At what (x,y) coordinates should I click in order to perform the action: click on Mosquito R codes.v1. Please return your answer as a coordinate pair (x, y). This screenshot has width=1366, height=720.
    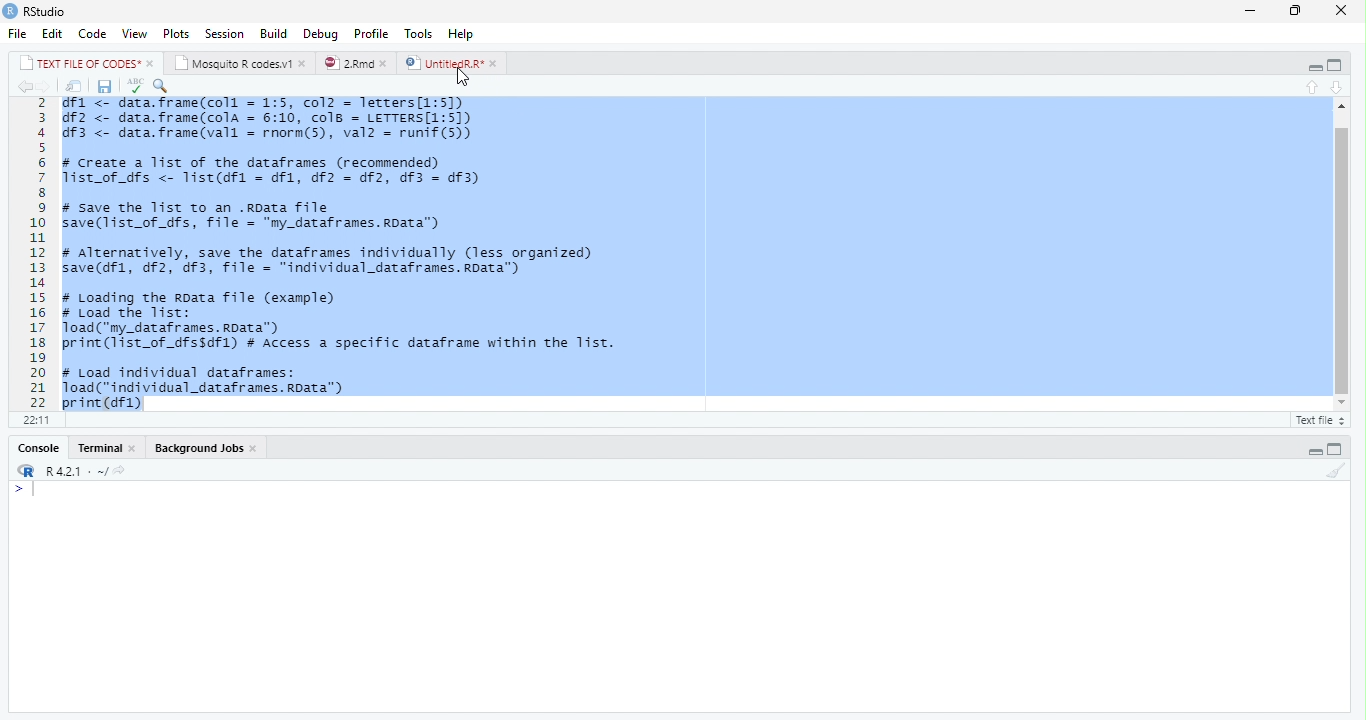
    Looking at the image, I should click on (239, 62).